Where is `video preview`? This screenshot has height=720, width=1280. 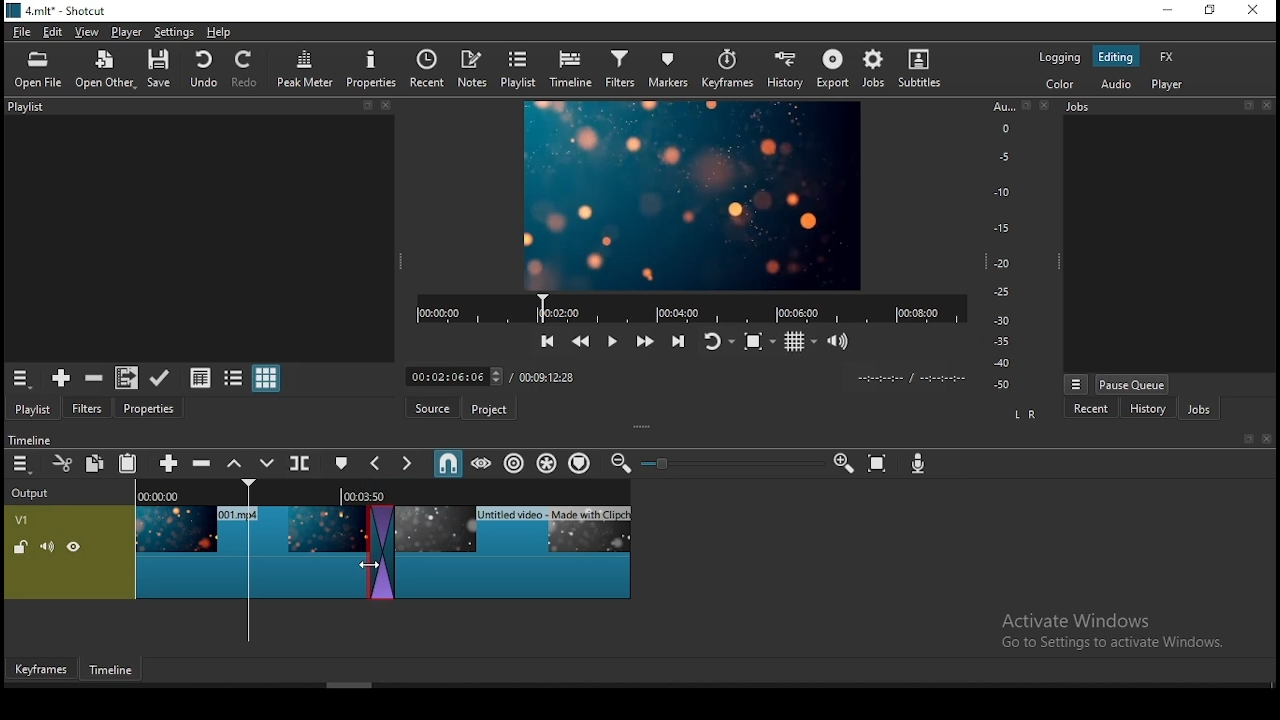
video preview is located at coordinates (691, 195).